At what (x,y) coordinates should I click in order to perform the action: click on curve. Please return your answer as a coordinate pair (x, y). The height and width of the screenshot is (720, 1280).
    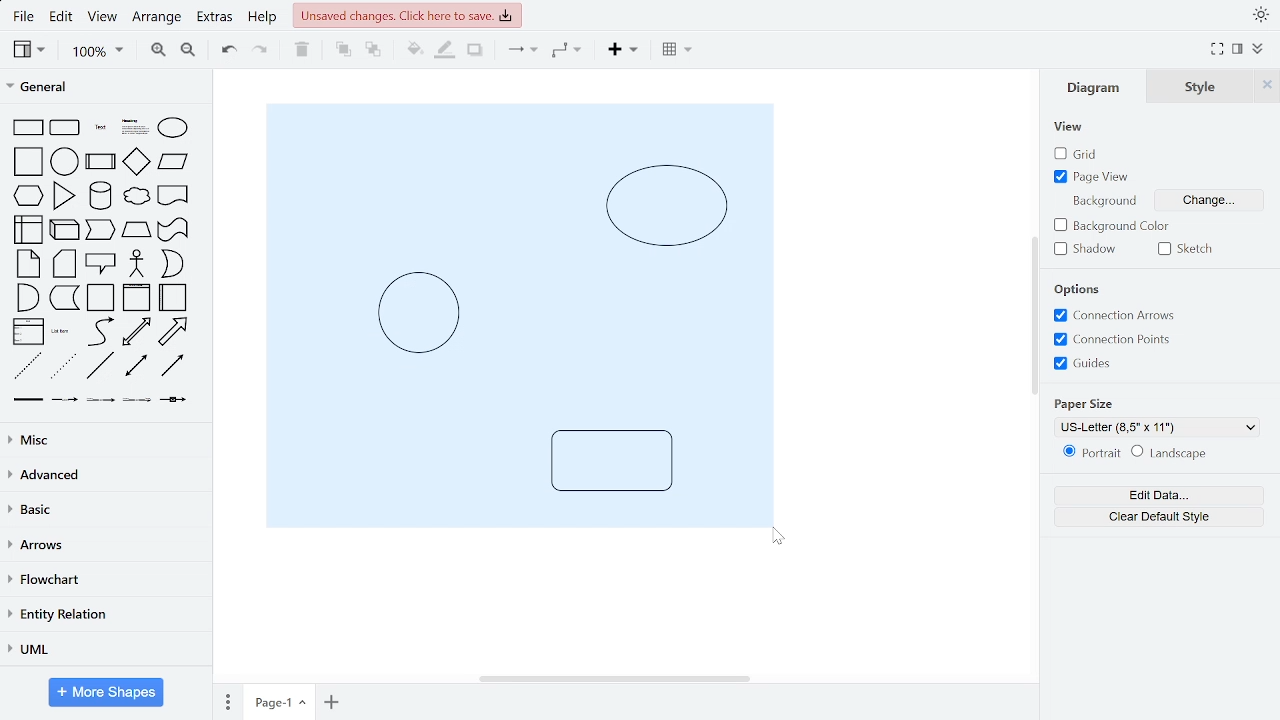
    Looking at the image, I should click on (99, 332).